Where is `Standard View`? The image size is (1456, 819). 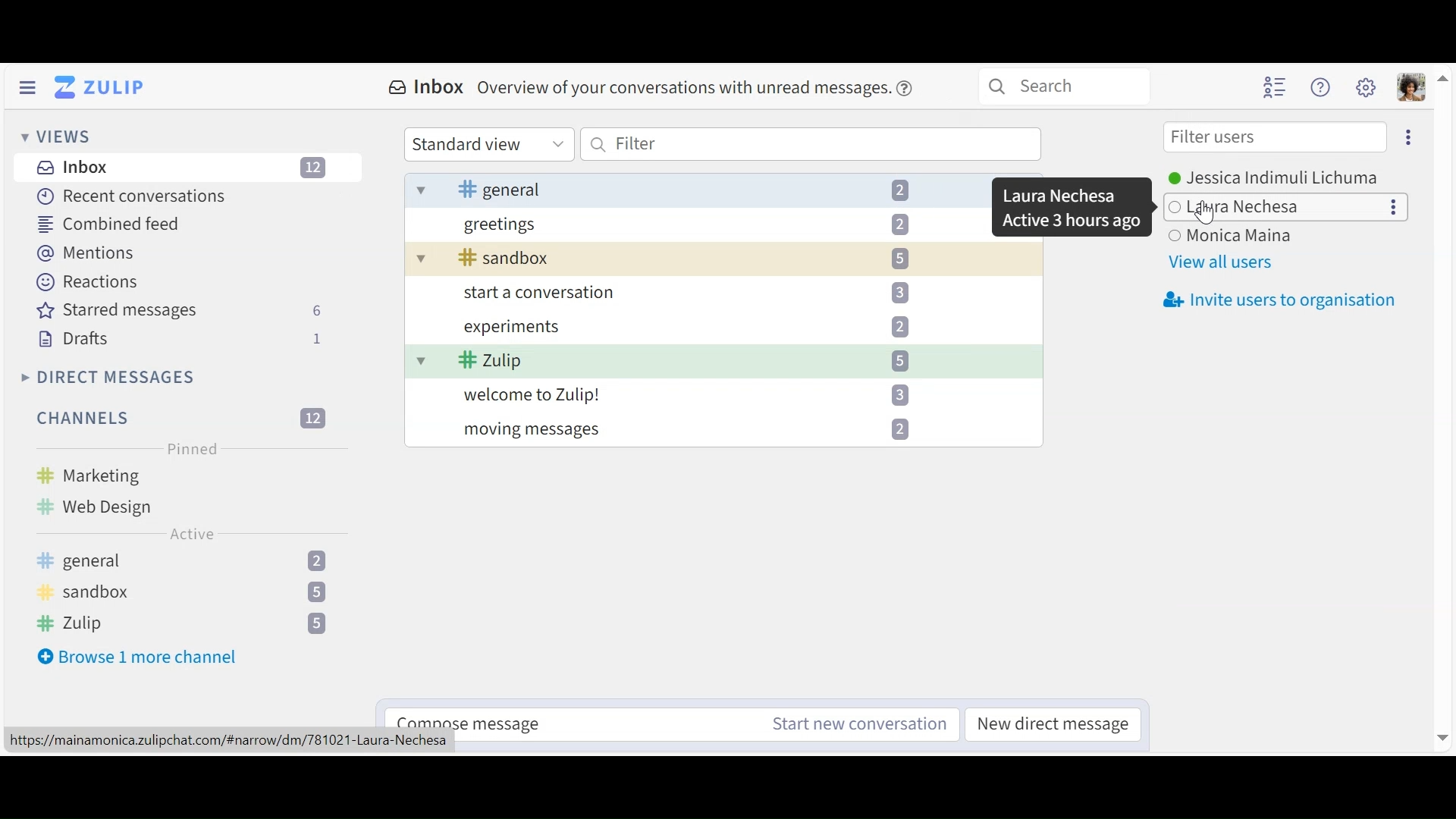
Standard View is located at coordinates (489, 143).